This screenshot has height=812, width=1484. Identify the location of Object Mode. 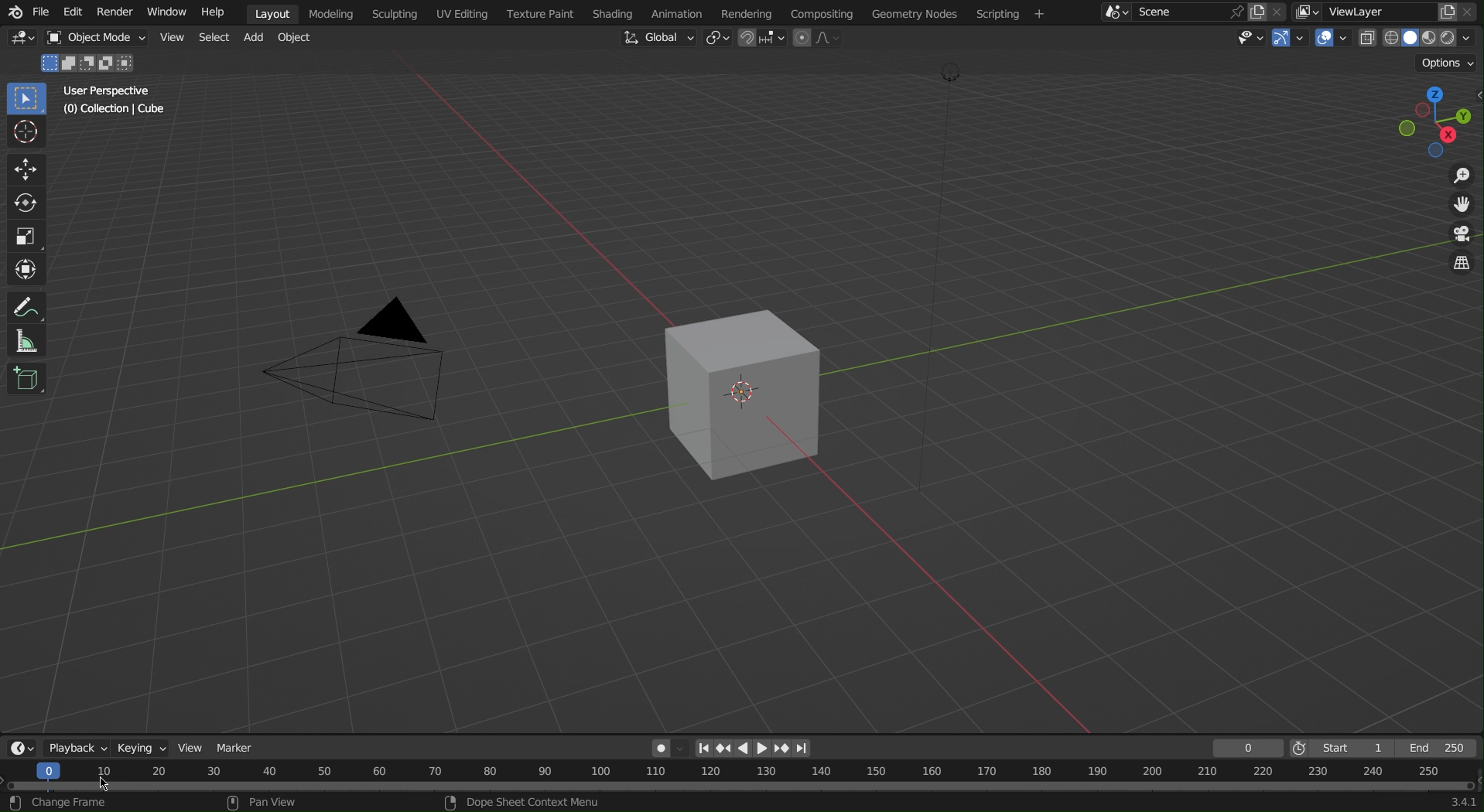
(93, 37).